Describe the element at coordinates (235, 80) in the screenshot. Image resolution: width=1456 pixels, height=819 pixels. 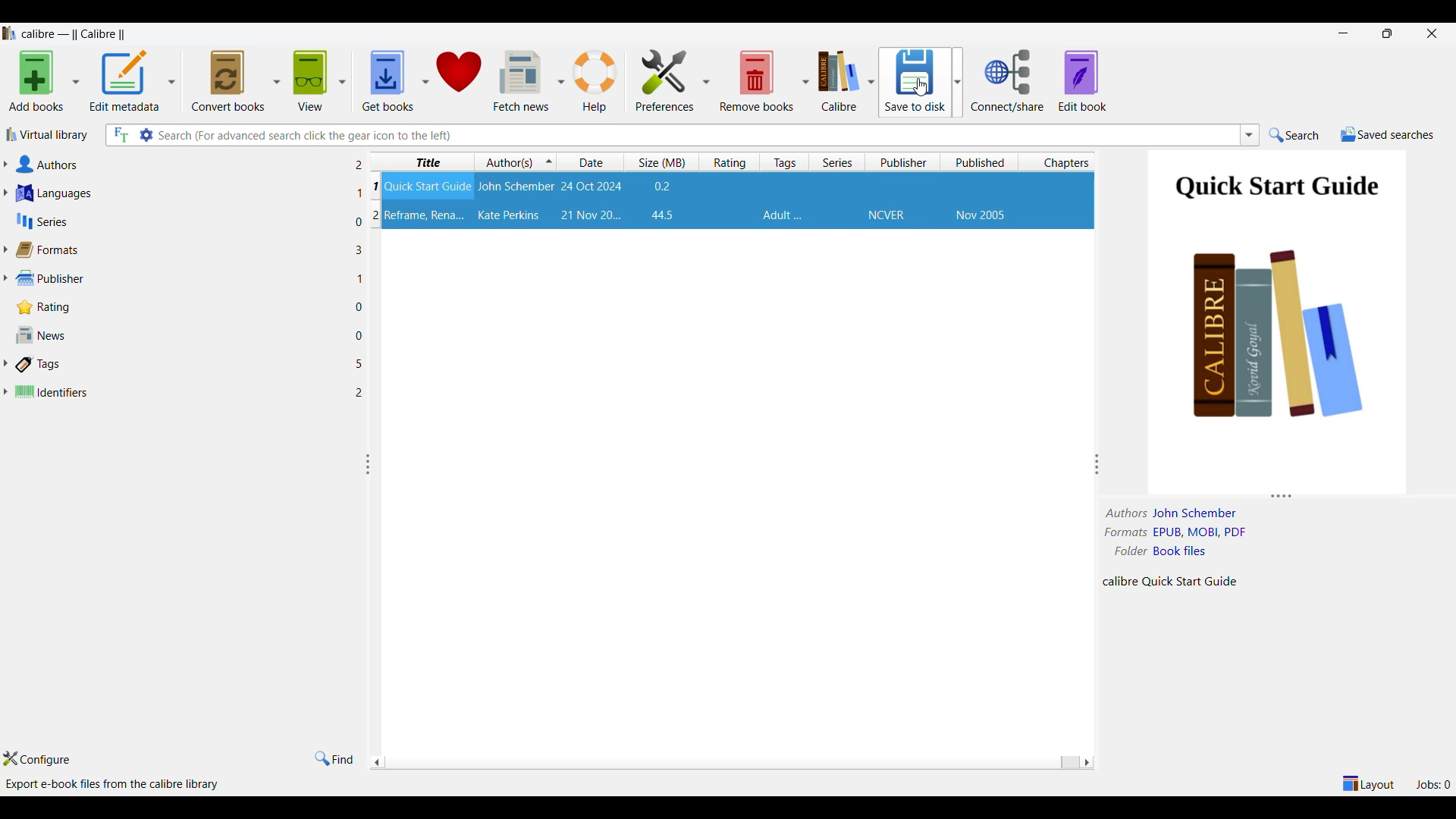
I see `Convert book options ` at that location.